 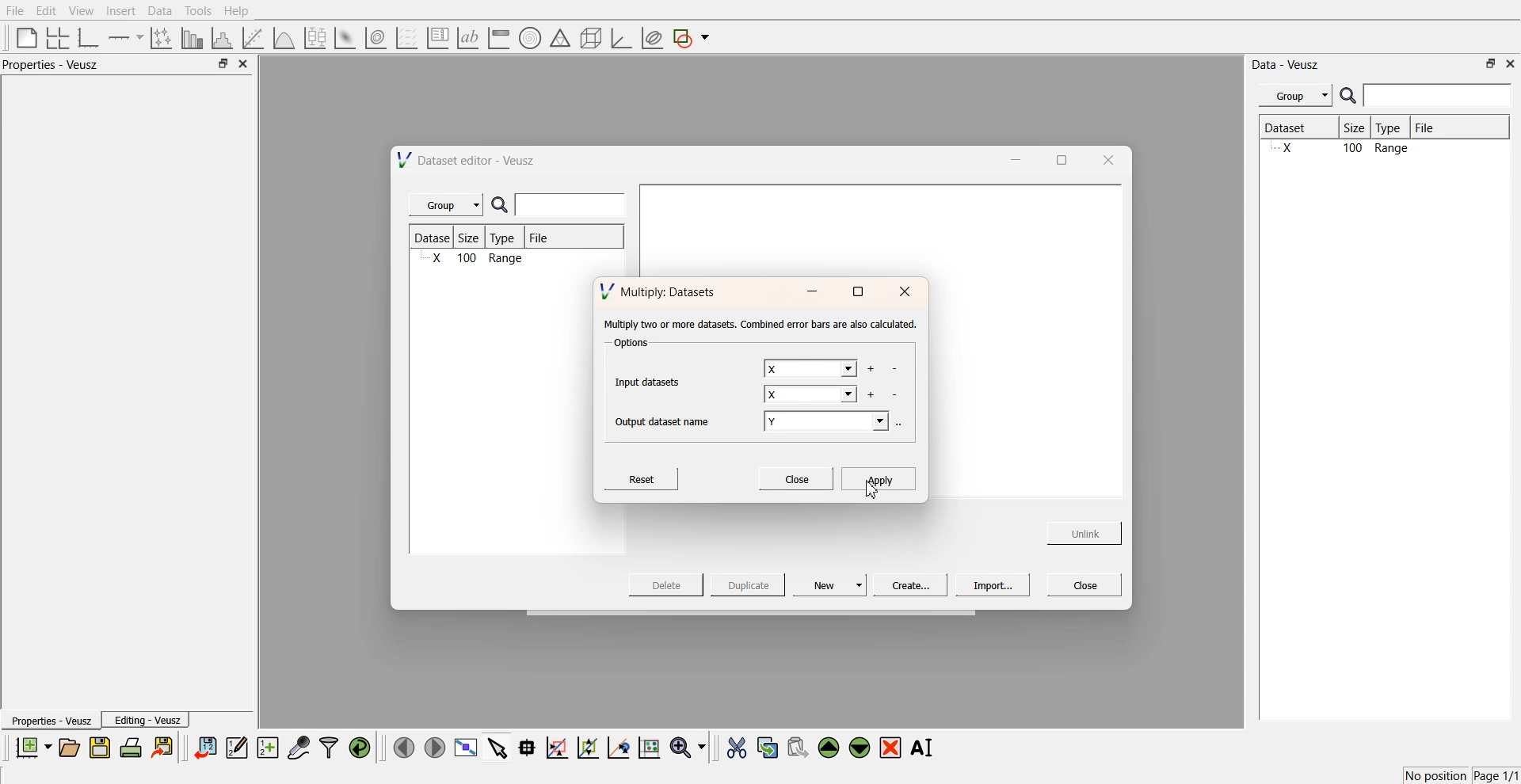 What do you see at coordinates (119, 11) in the screenshot?
I see `Insert` at bounding box center [119, 11].